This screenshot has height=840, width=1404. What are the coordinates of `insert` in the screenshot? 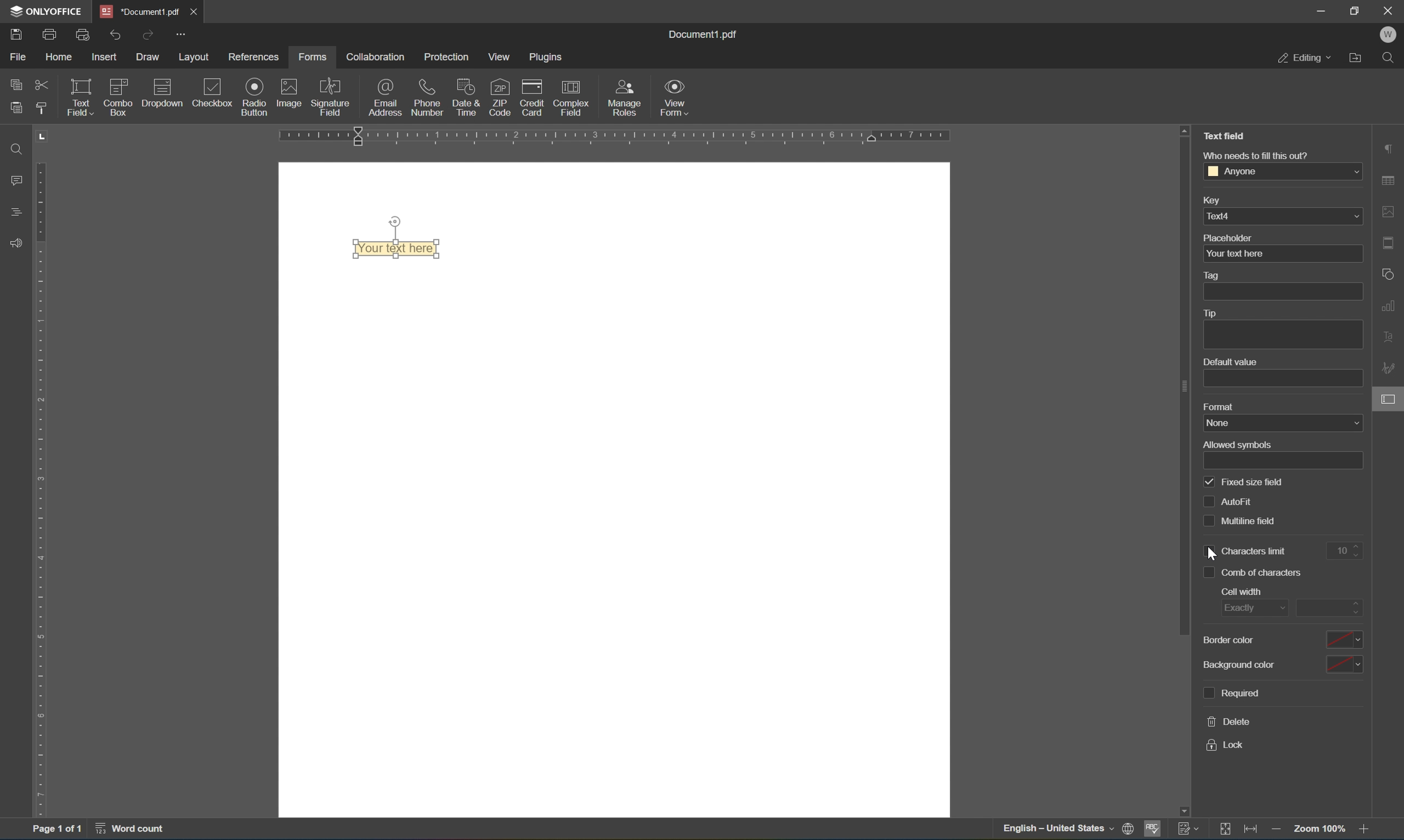 It's located at (103, 57).